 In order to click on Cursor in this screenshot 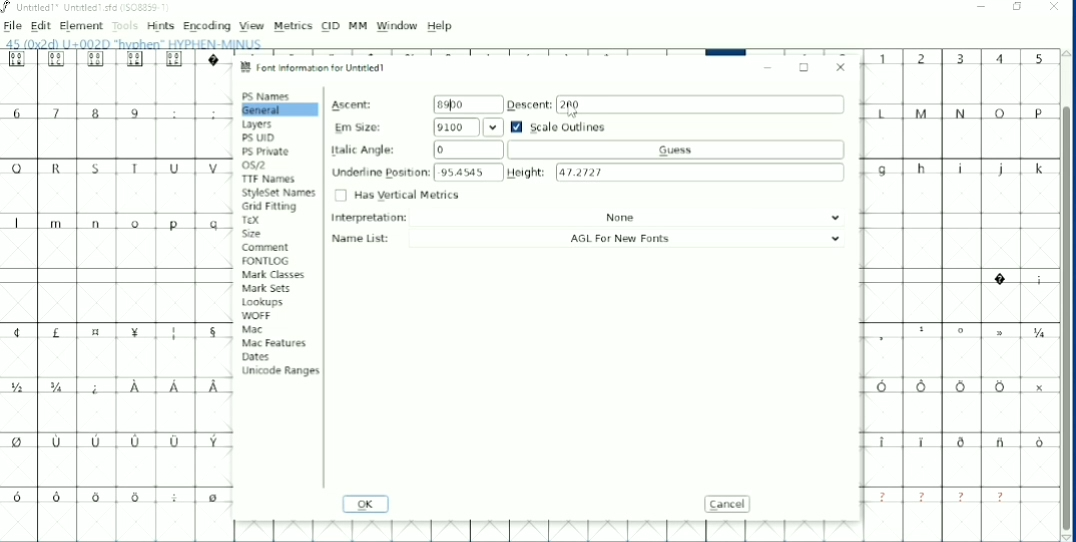, I will do `click(571, 112)`.